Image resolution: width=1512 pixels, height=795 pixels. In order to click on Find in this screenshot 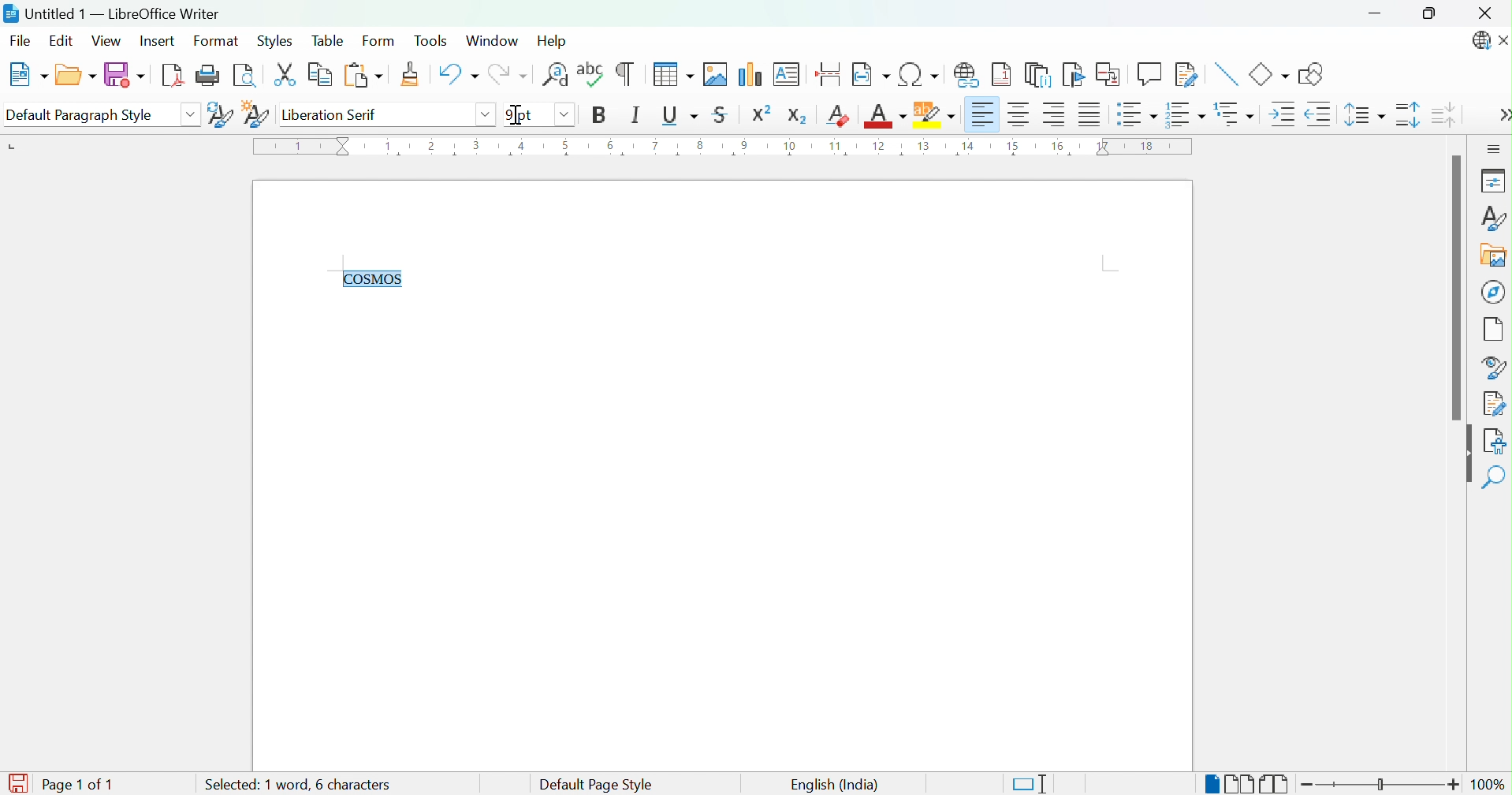, I will do `click(1496, 477)`.